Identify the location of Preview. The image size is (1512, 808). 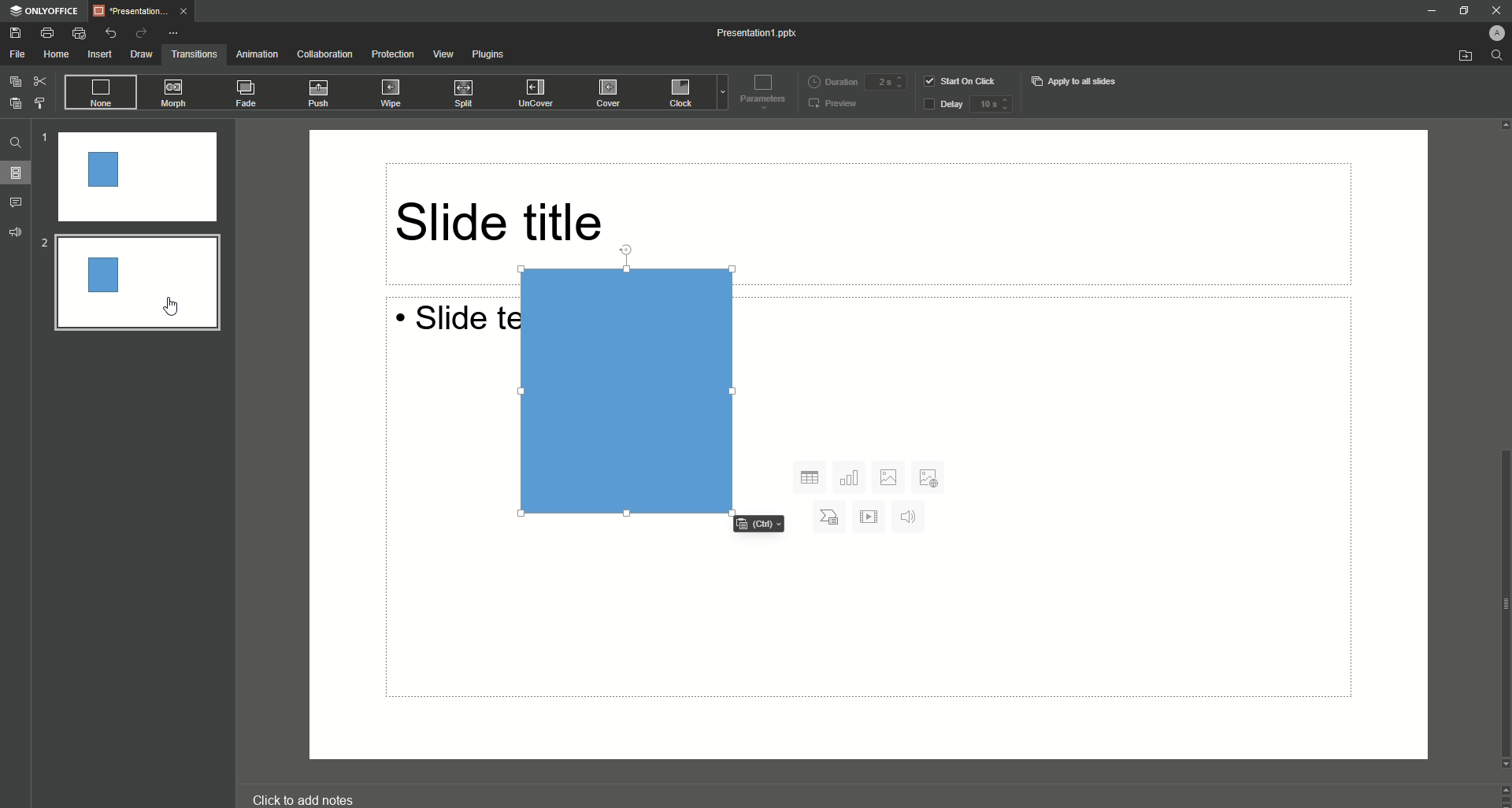
(832, 106).